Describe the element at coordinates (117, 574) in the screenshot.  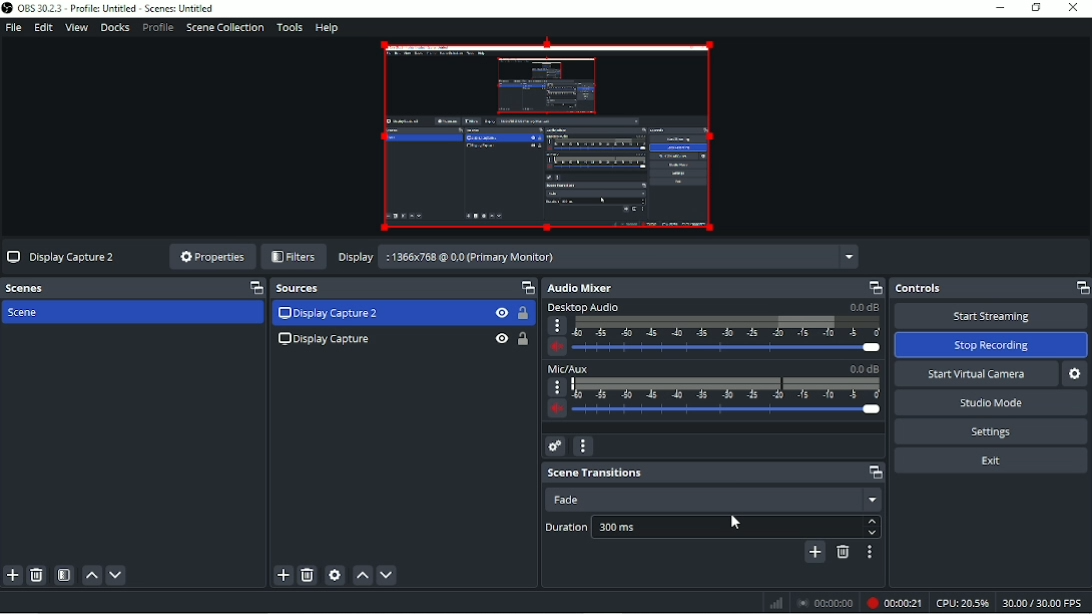
I see `Move scene down` at that location.